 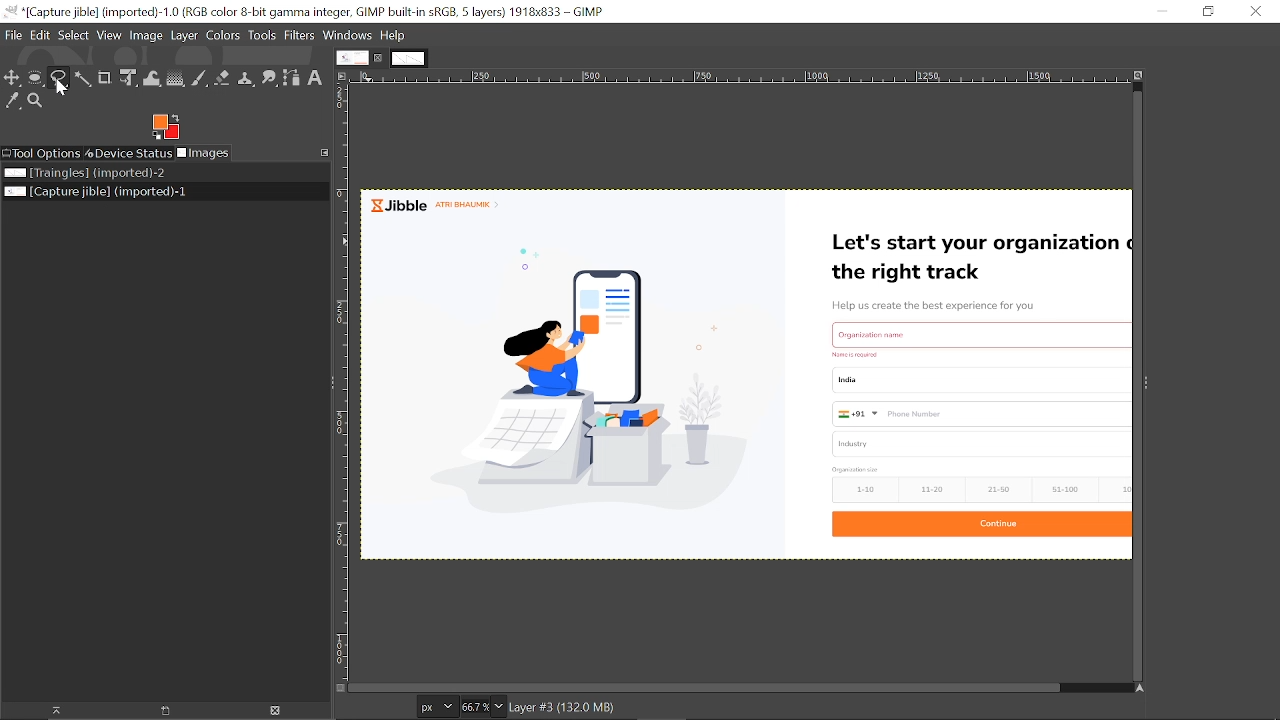 What do you see at coordinates (128, 153) in the screenshot?
I see `Device status` at bounding box center [128, 153].